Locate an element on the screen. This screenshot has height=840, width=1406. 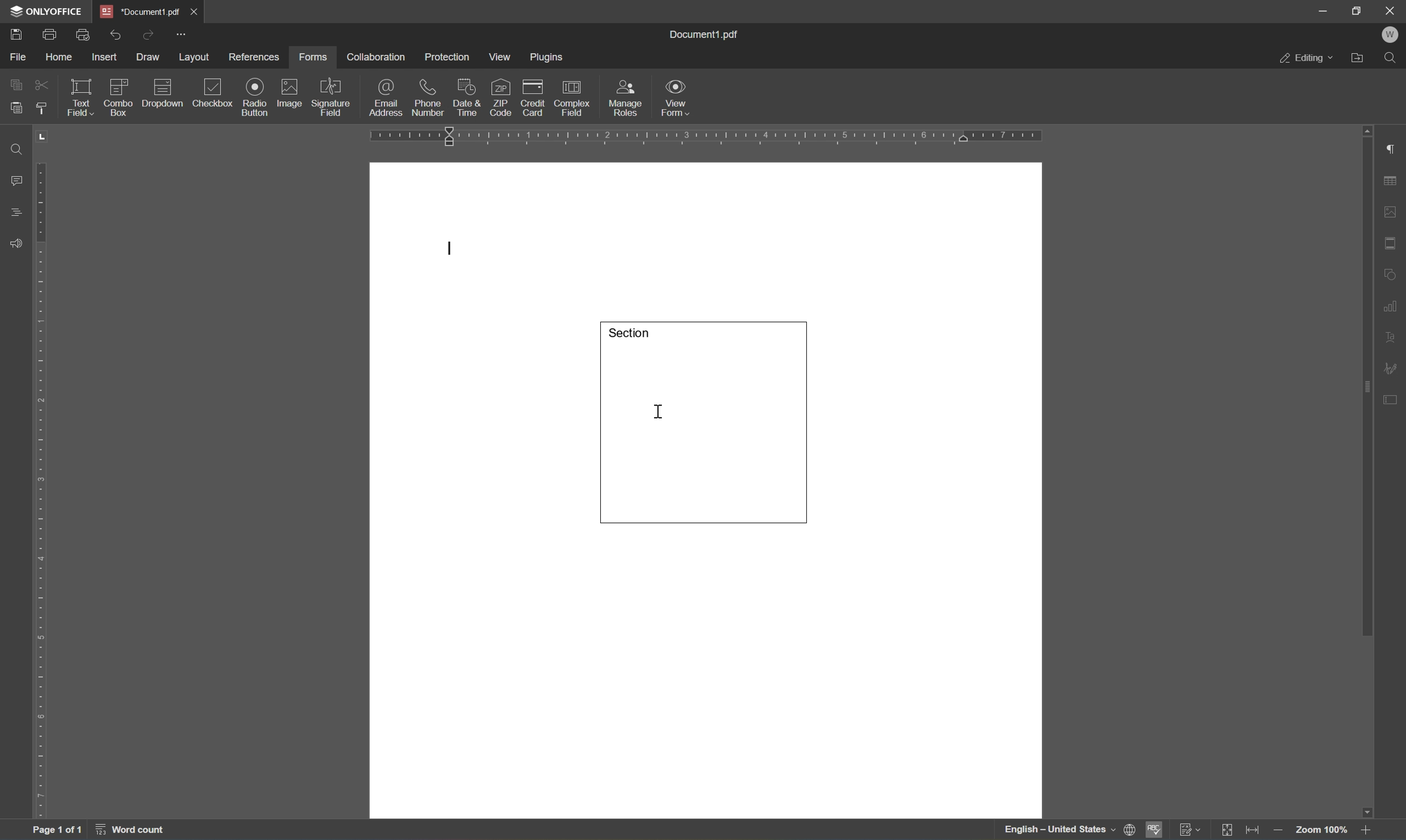
header & footer settings is located at coordinates (1391, 244).